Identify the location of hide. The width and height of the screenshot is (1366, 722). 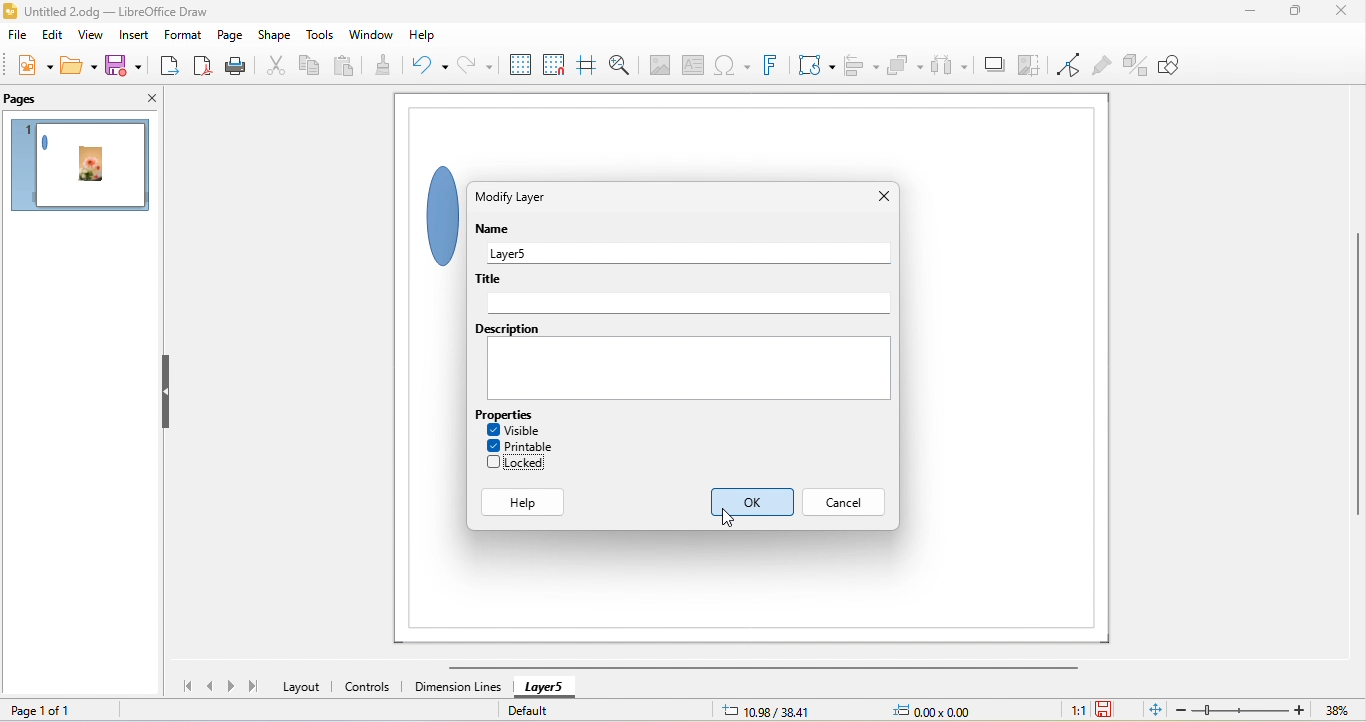
(168, 393).